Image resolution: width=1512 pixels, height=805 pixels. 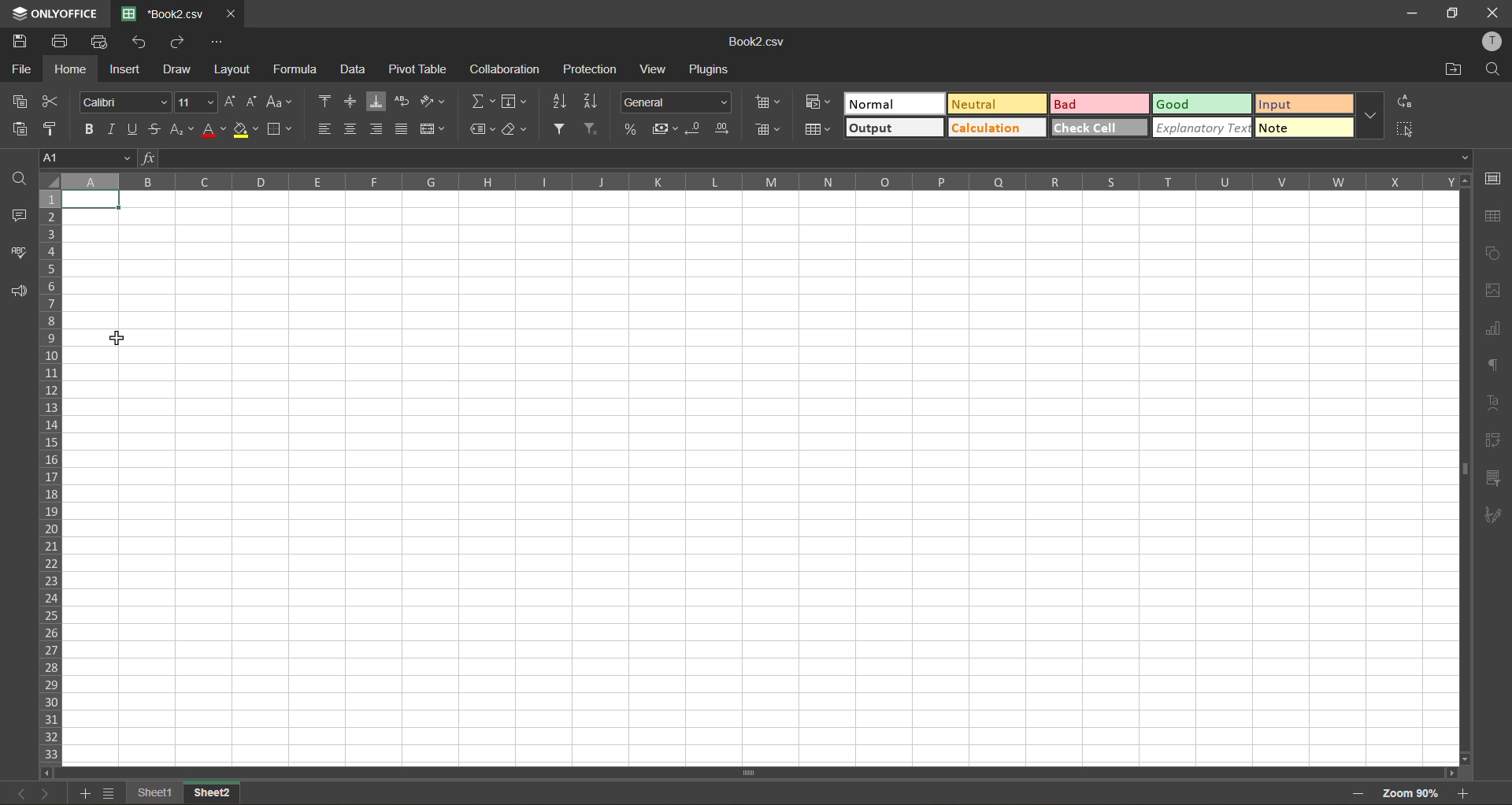 What do you see at coordinates (822, 133) in the screenshot?
I see `format as table` at bounding box center [822, 133].